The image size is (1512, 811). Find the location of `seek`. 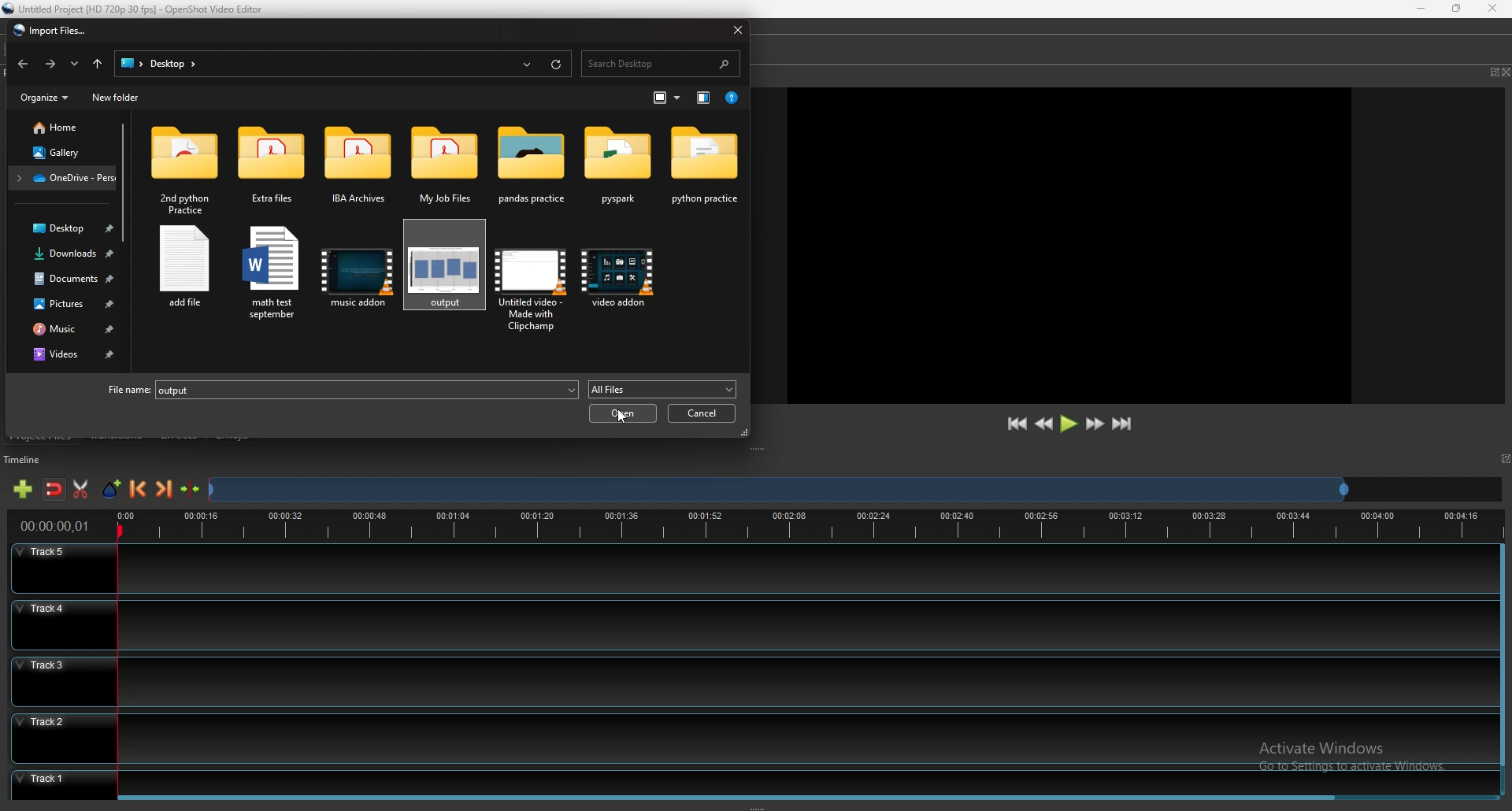

seek is located at coordinates (777, 491).